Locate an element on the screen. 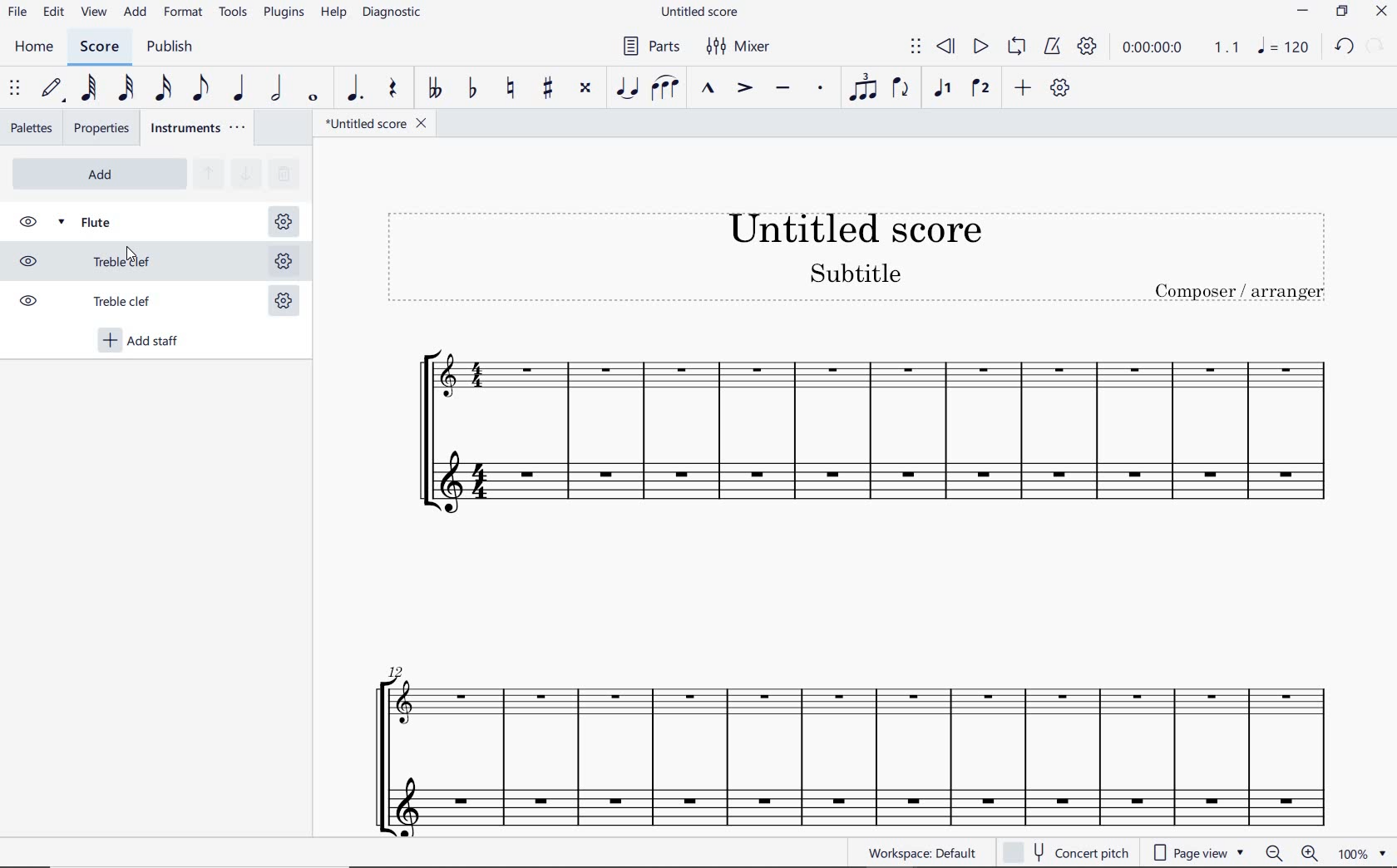 This screenshot has height=868, width=1397. EIGHTH NOTE is located at coordinates (201, 89).